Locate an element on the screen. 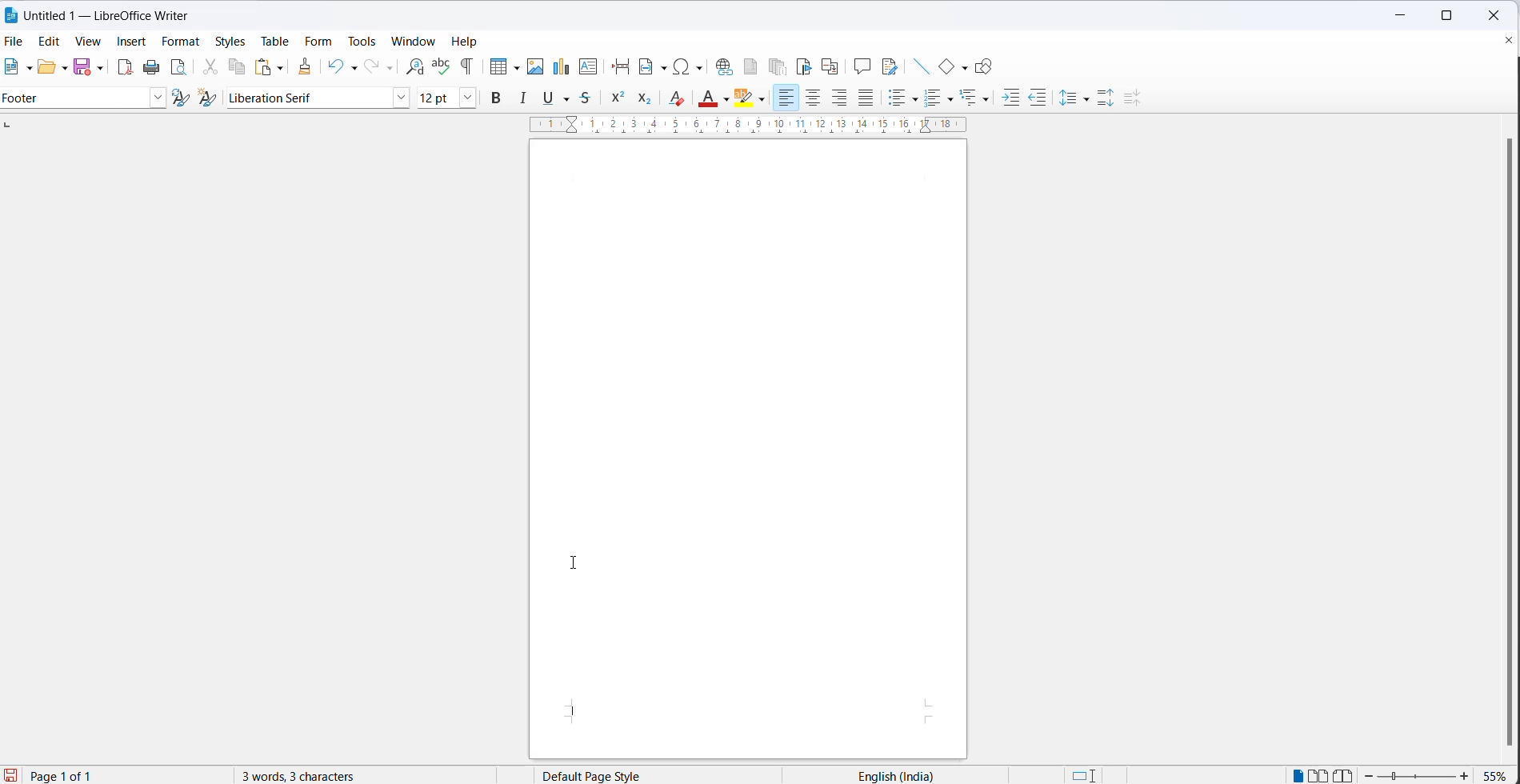 Image resolution: width=1520 pixels, height=784 pixels. insert comments is located at coordinates (863, 65).